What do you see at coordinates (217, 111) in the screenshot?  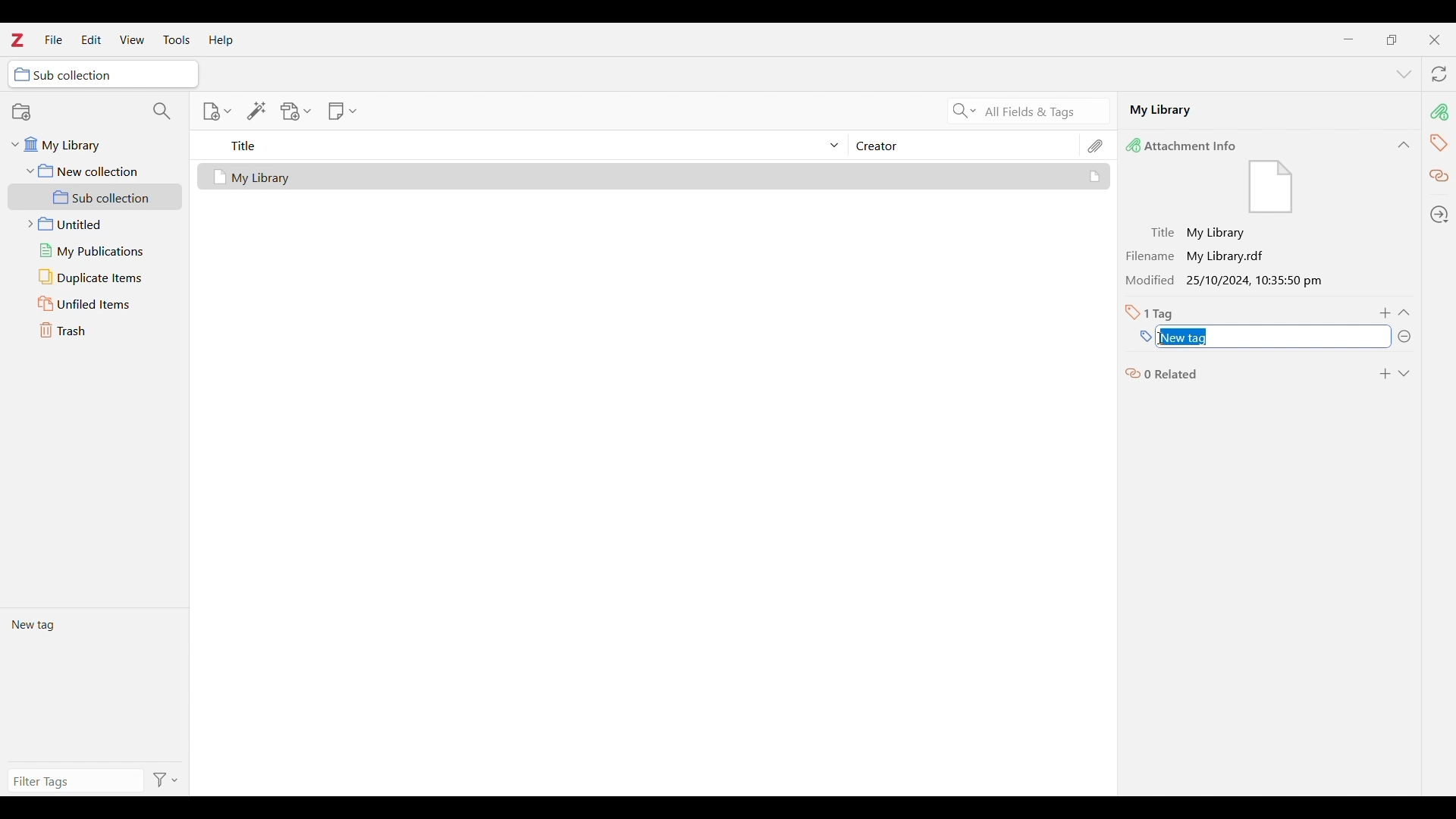 I see `New item options` at bounding box center [217, 111].